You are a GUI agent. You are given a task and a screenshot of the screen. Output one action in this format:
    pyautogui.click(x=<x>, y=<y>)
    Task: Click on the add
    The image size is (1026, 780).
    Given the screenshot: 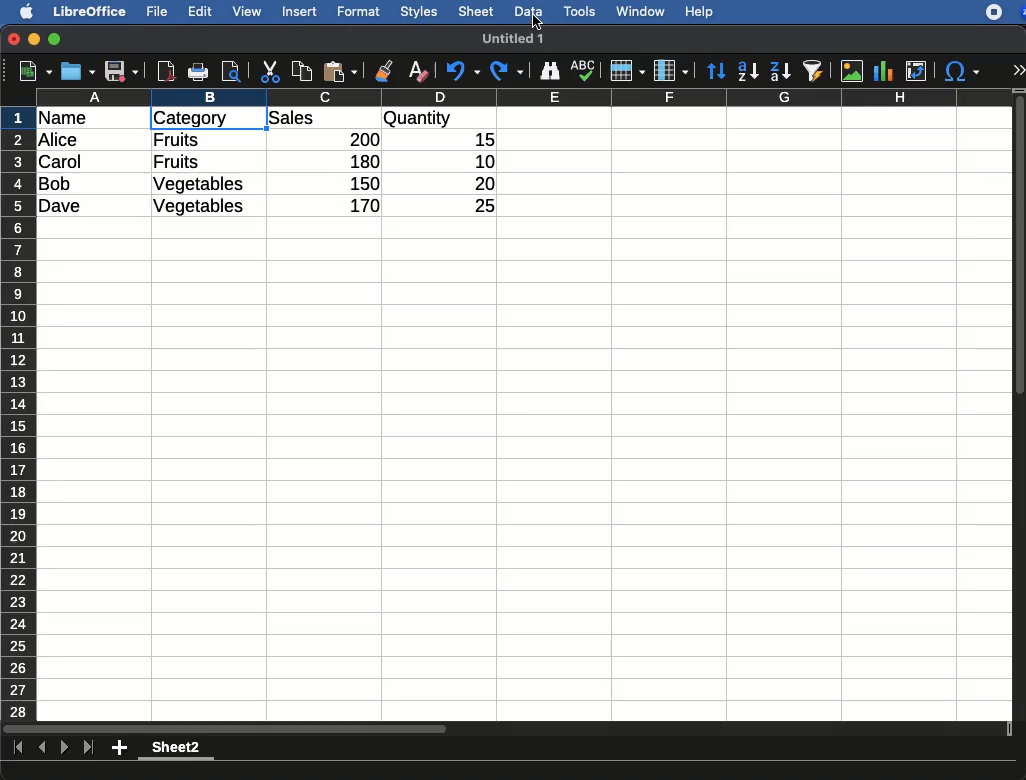 What is the action you would take?
    pyautogui.click(x=121, y=747)
    